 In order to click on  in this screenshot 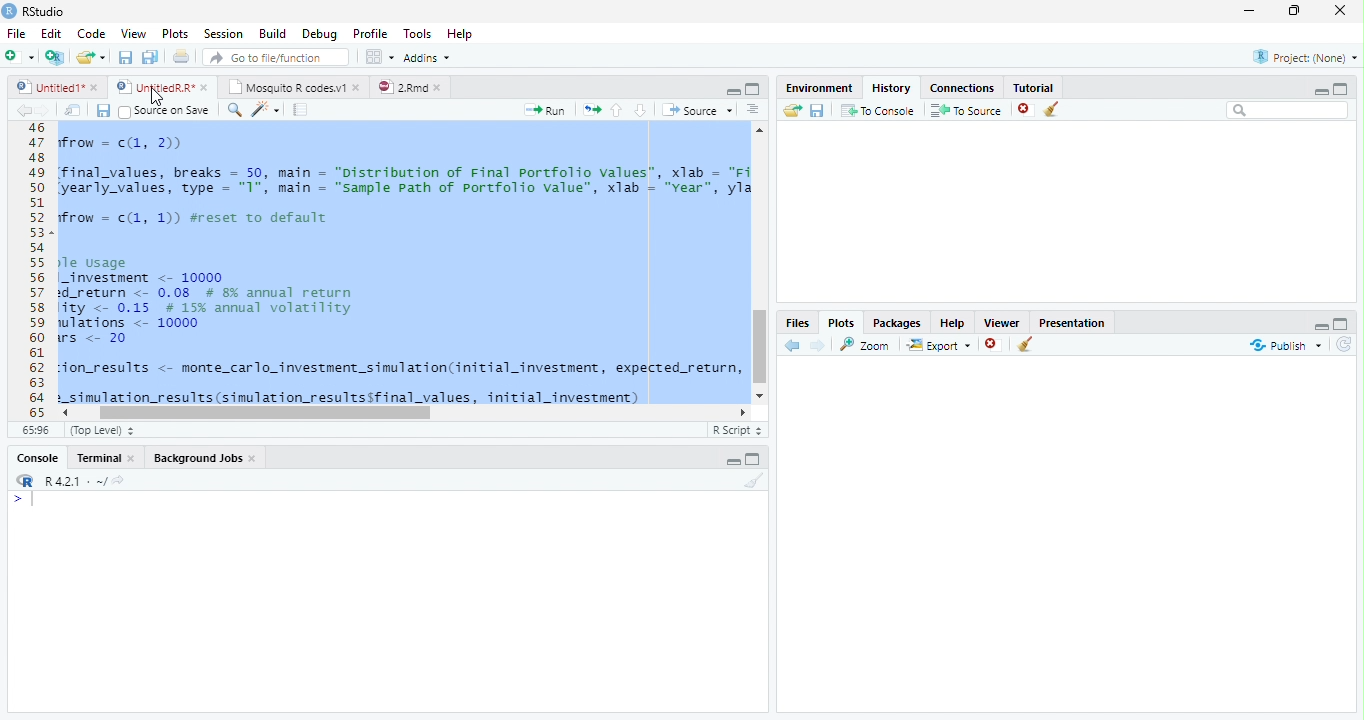, I will do `click(732, 89)`.